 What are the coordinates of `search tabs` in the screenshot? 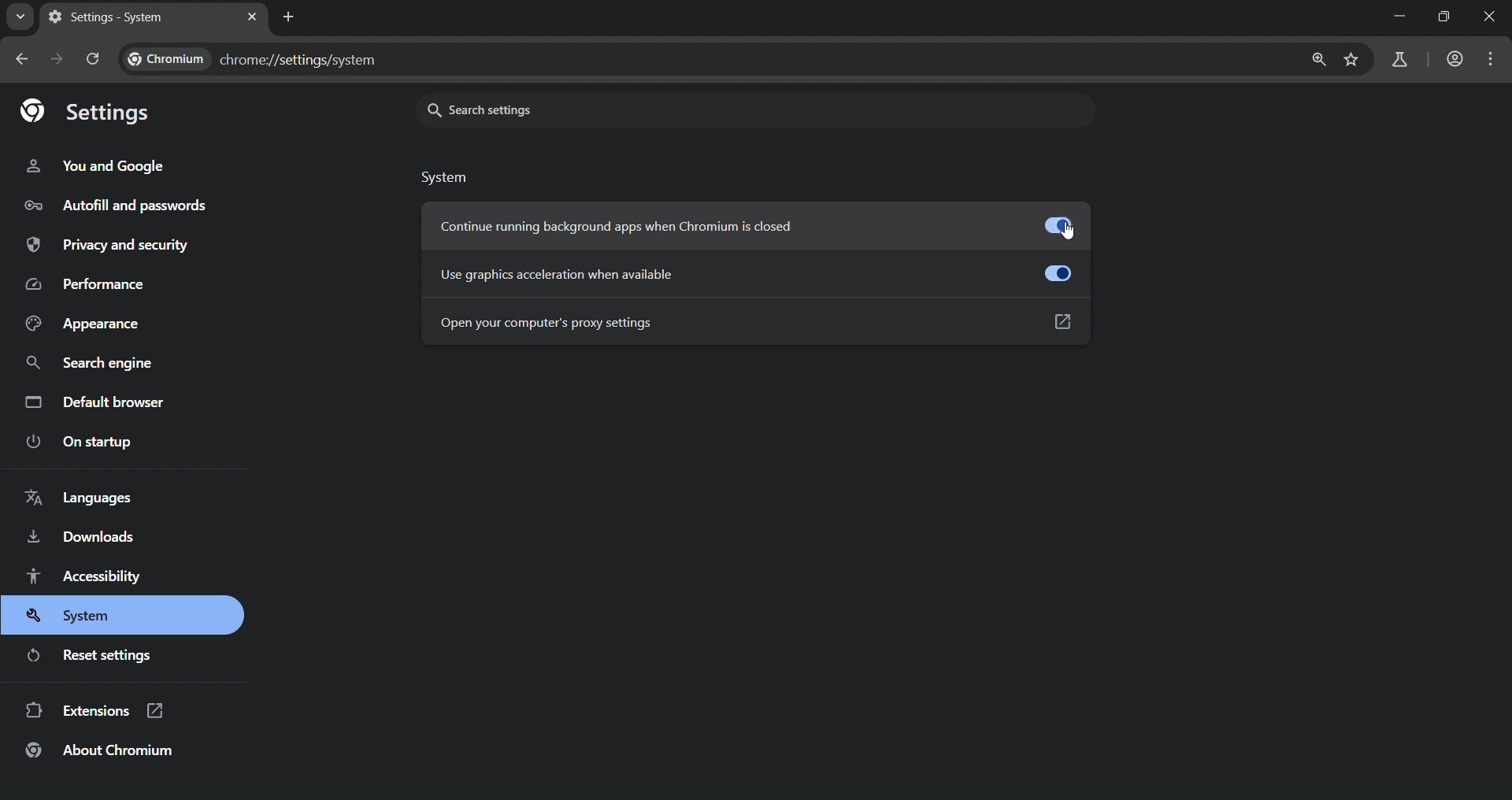 It's located at (23, 18).